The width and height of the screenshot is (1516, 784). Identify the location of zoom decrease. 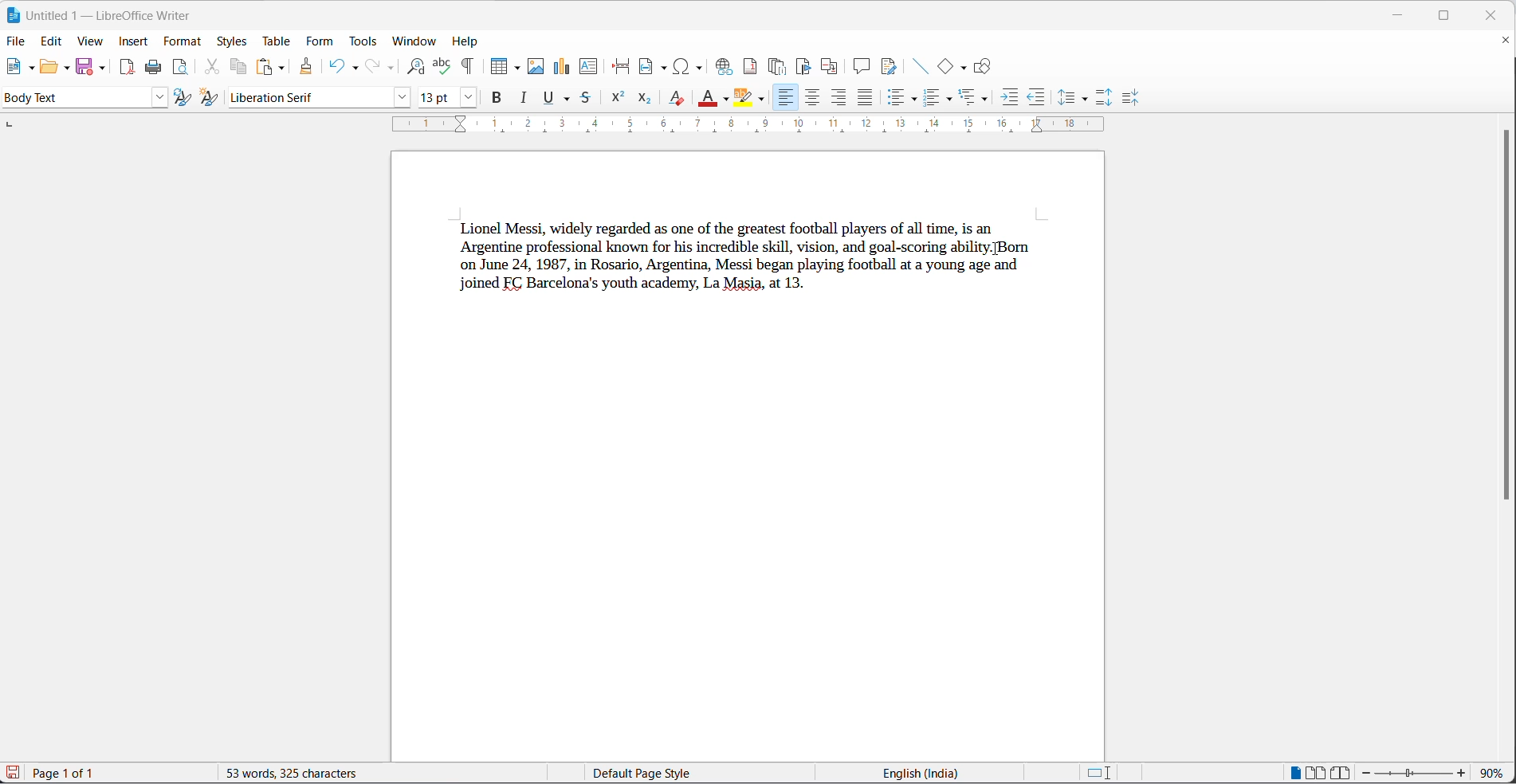
(1365, 773).